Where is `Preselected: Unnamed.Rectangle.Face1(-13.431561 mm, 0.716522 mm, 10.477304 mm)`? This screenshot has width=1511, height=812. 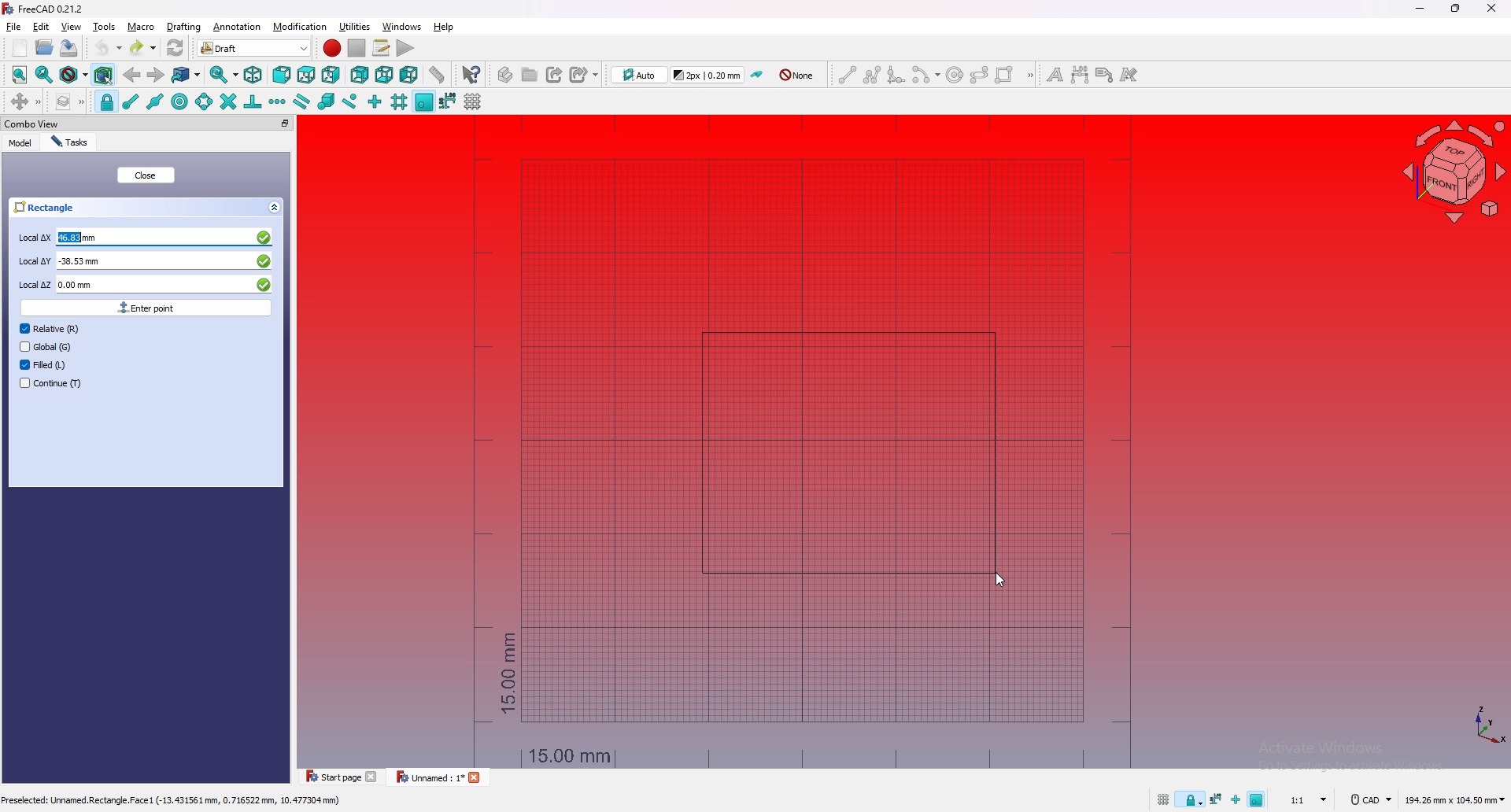 Preselected: Unnamed.Rectangle.Face1(-13.431561 mm, 0.716522 mm, 10.477304 mm) is located at coordinates (174, 800).